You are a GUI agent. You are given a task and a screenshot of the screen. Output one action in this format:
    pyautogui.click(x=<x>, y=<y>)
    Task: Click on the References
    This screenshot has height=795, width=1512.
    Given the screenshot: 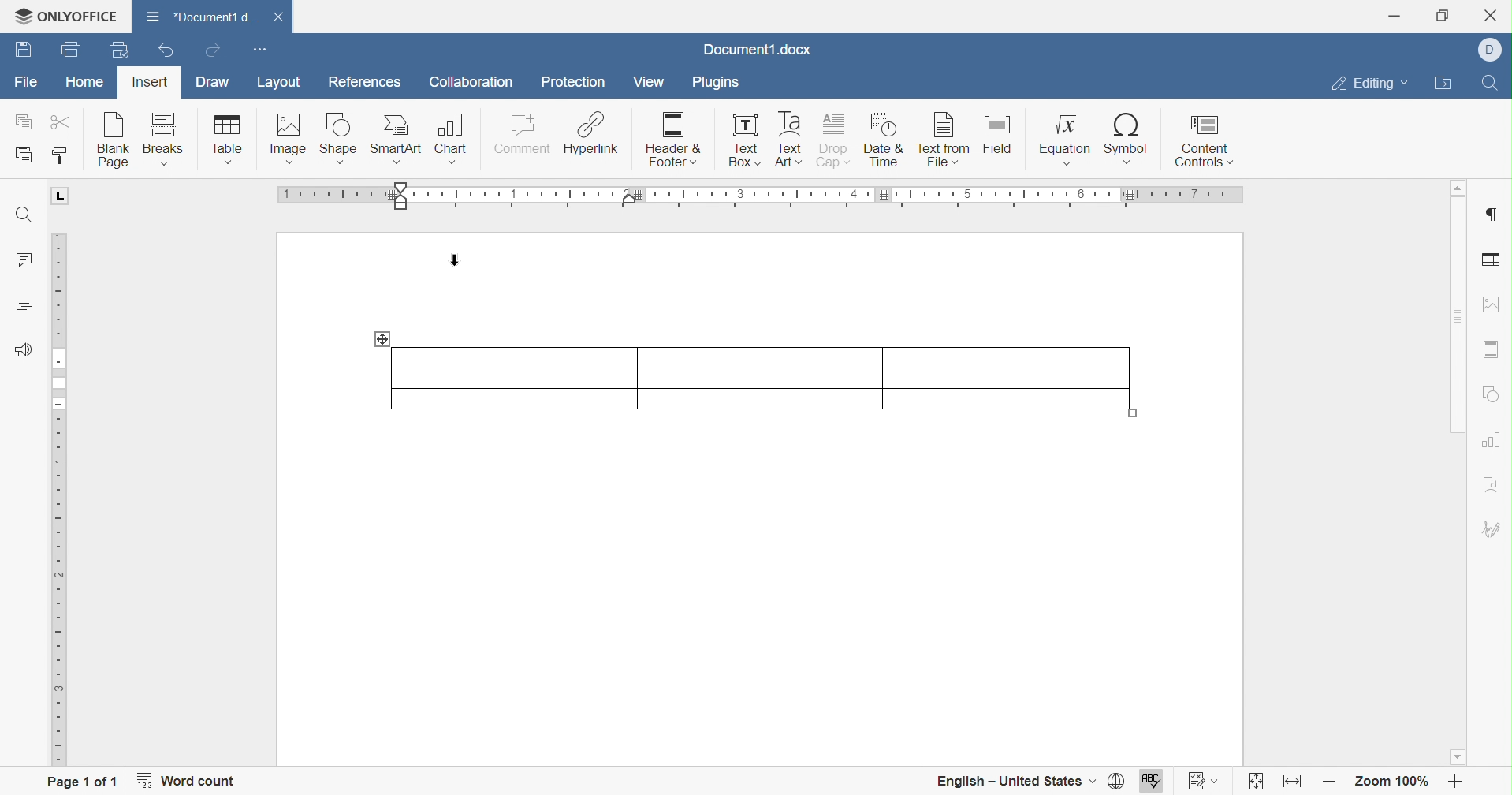 What is the action you would take?
    pyautogui.click(x=370, y=85)
    